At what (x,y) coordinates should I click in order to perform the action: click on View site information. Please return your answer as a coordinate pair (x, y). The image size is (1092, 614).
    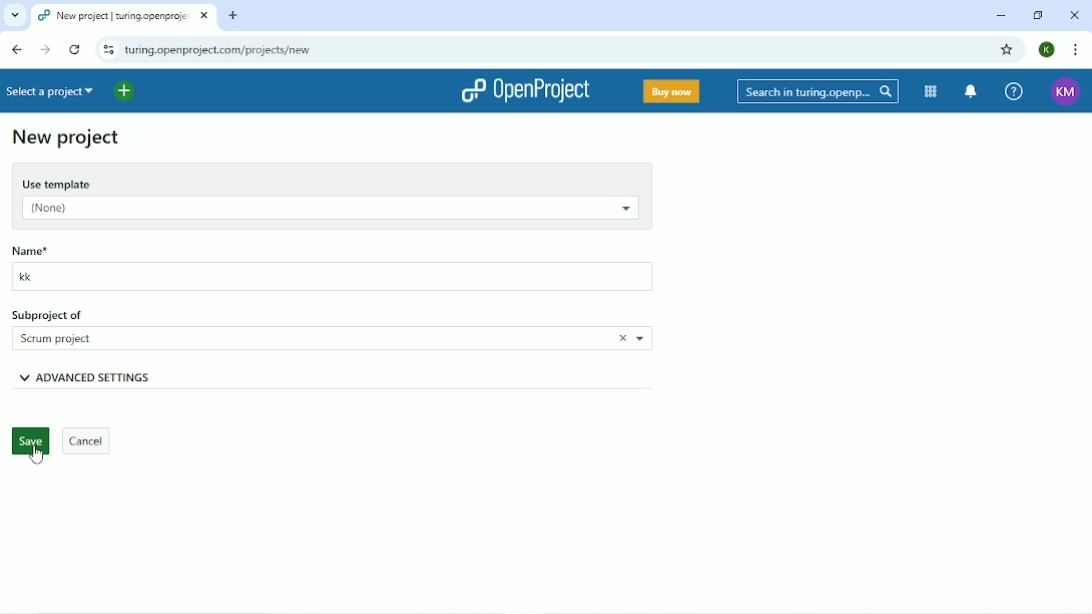
    Looking at the image, I should click on (106, 49).